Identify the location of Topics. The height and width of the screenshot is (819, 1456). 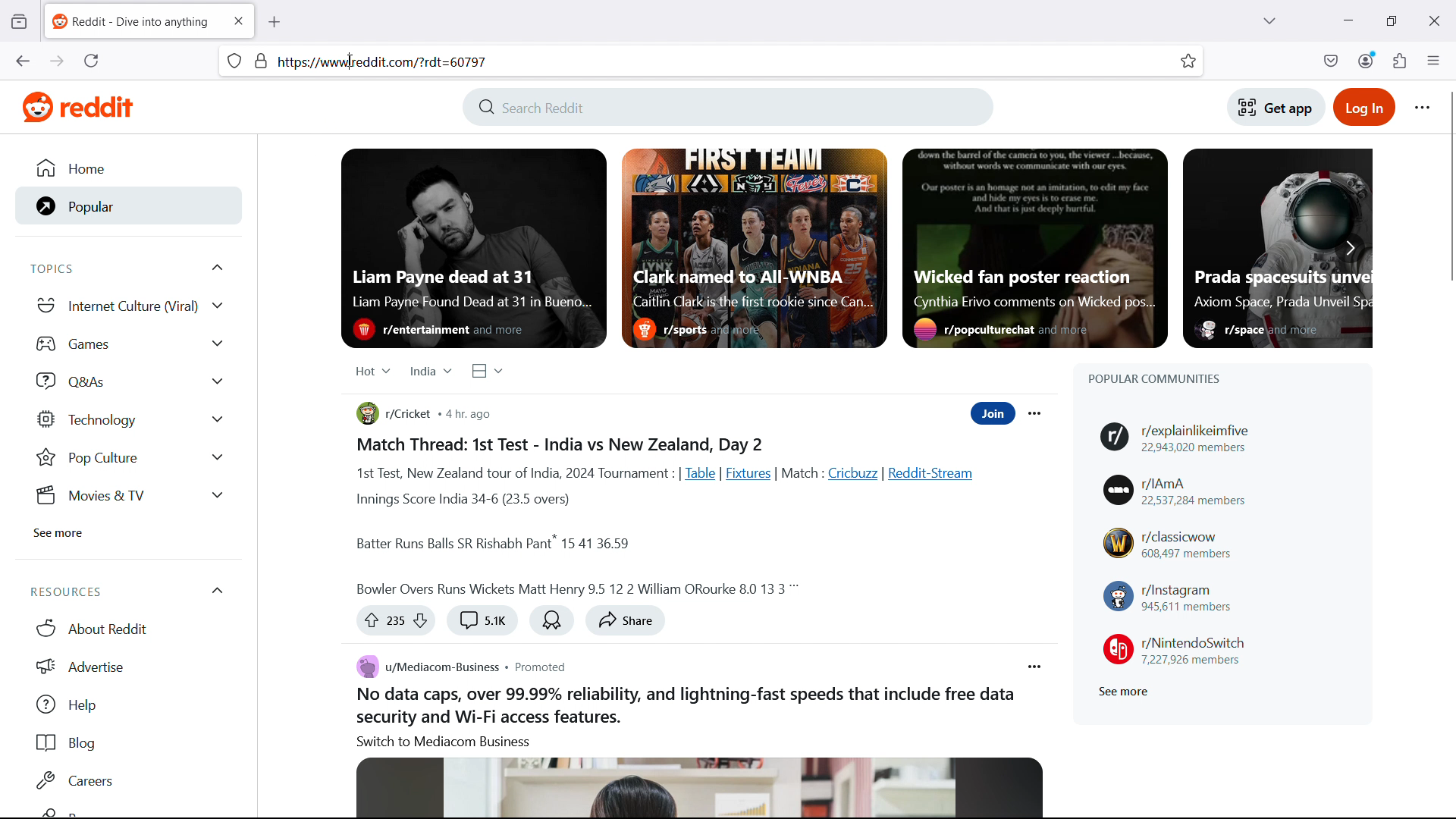
(131, 268).